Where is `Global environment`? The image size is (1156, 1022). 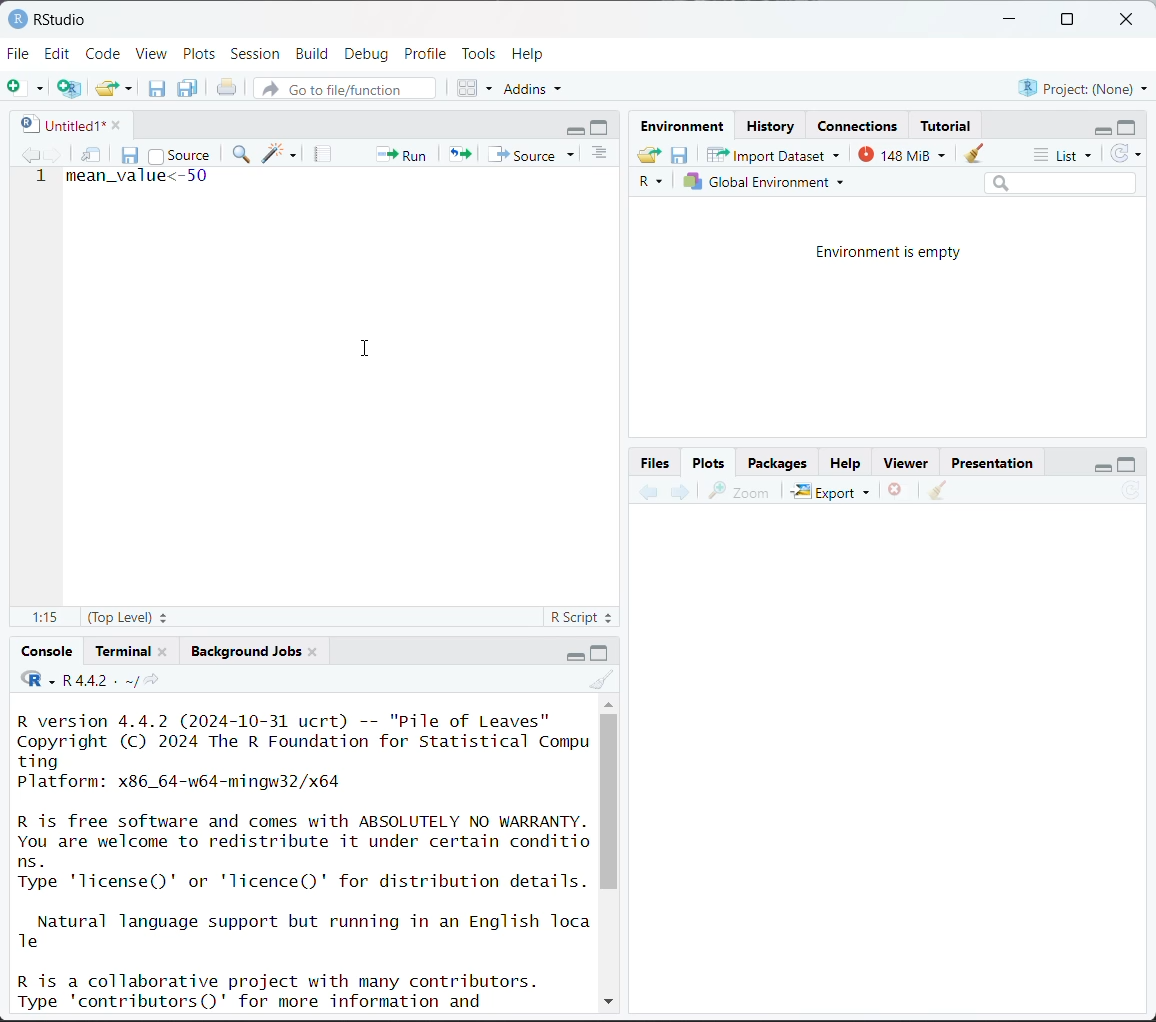 Global environment is located at coordinates (765, 182).